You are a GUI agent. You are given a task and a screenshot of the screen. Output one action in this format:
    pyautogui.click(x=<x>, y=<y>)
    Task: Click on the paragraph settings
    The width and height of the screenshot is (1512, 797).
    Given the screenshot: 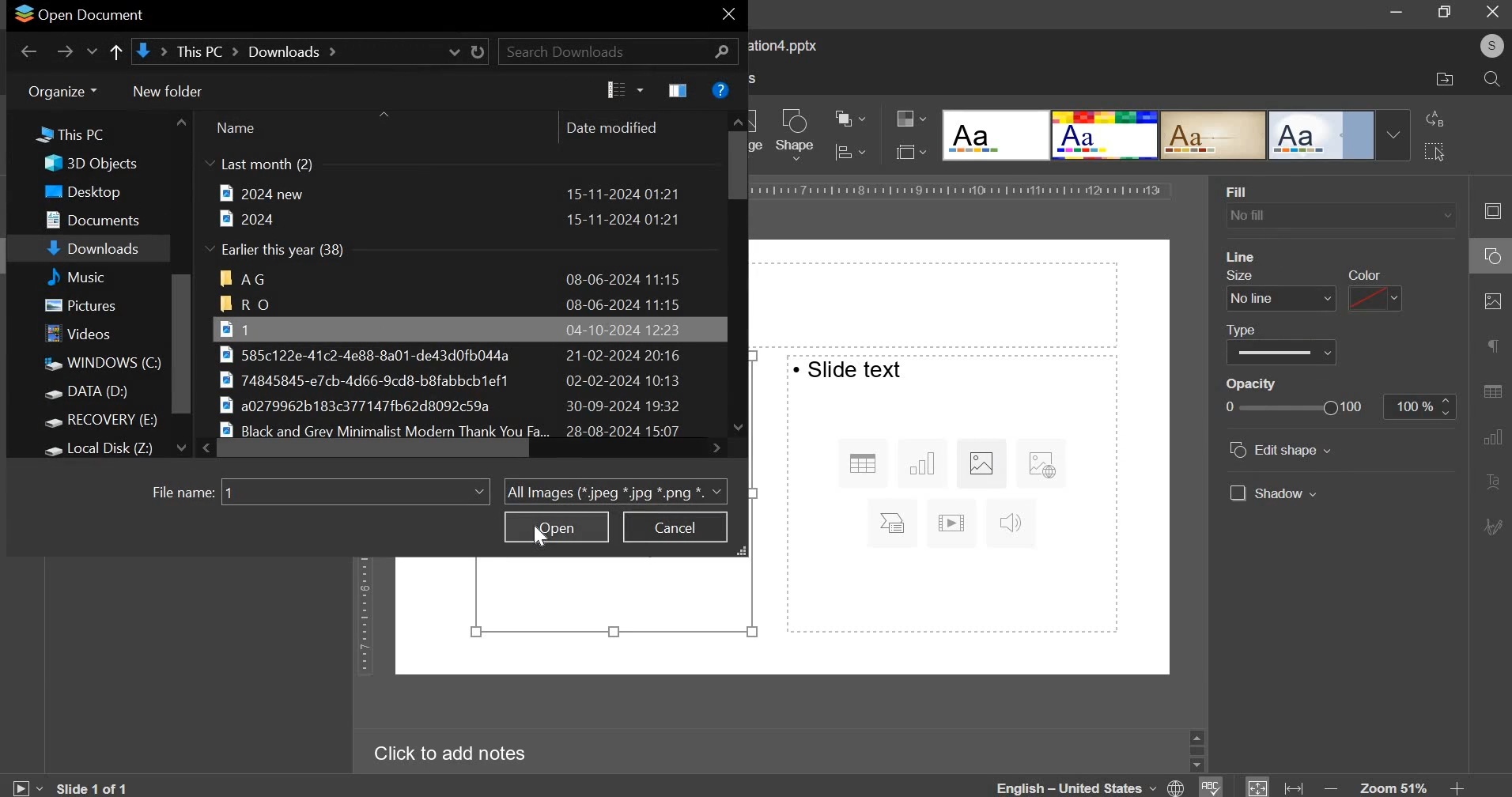 What is the action you would take?
    pyautogui.click(x=1491, y=346)
    